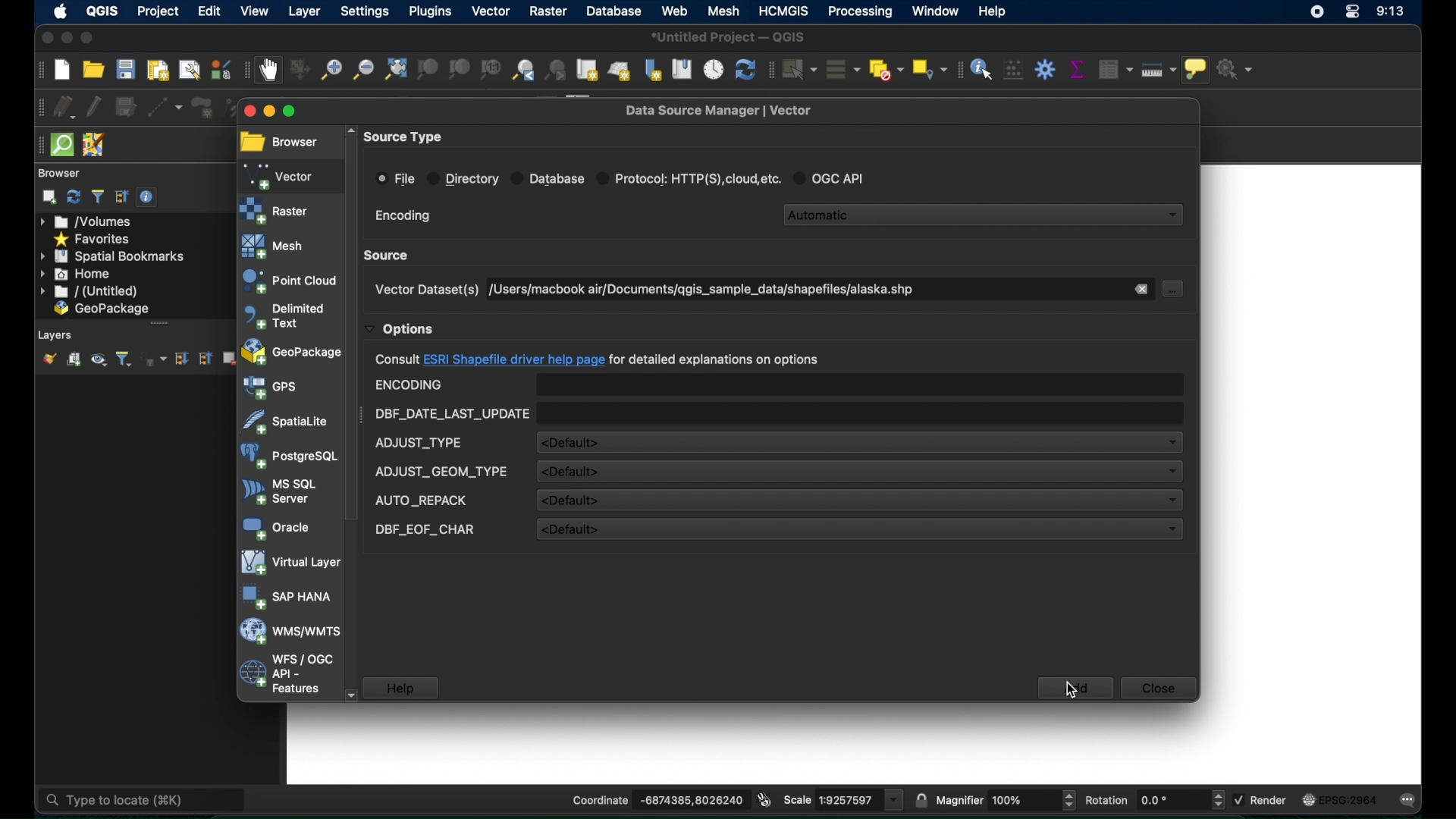 This screenshot has width=1456, height=819. I want to click on mesh, so click(275, 246).